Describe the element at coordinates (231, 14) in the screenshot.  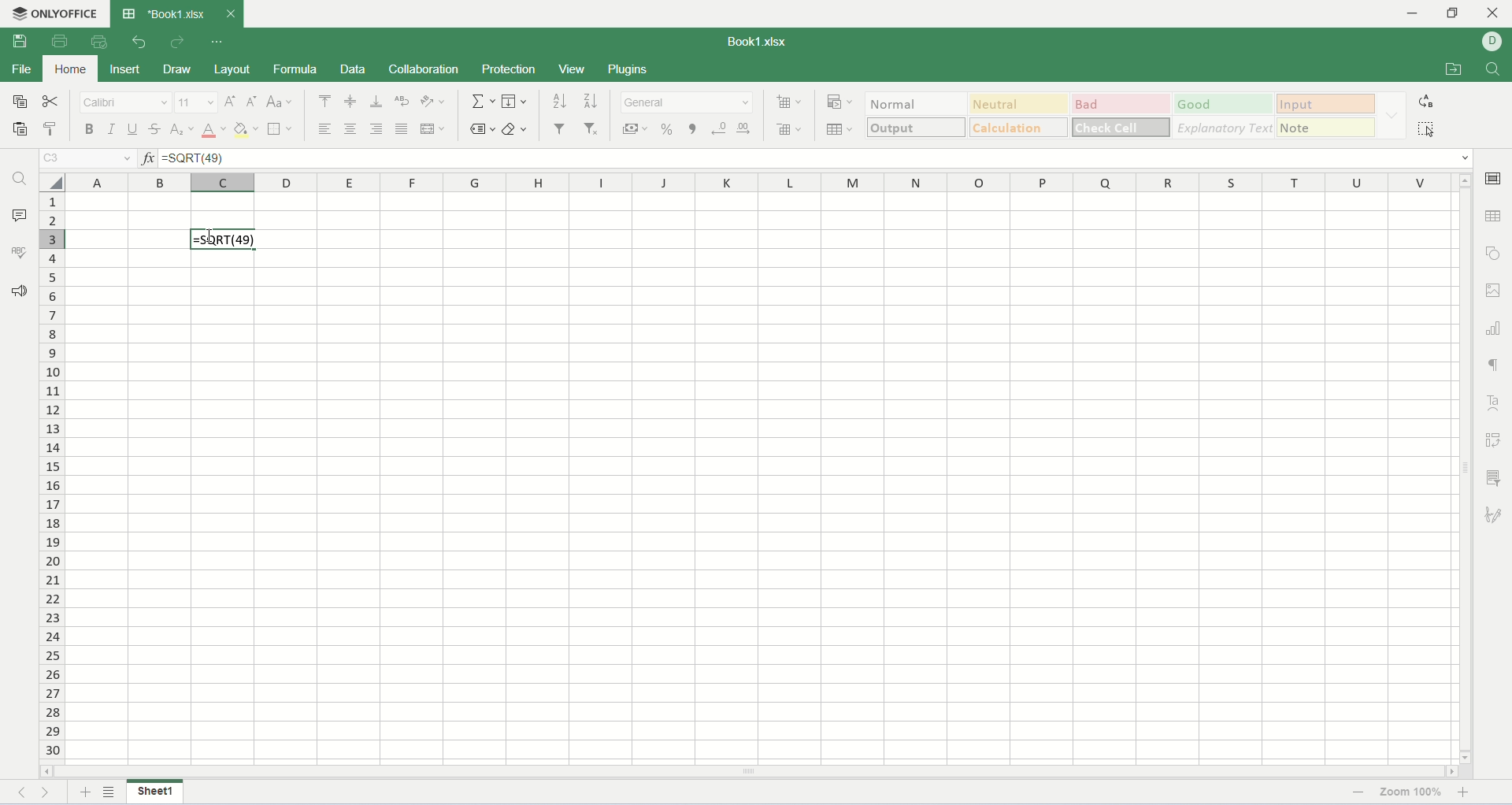
I see `close` at that location.